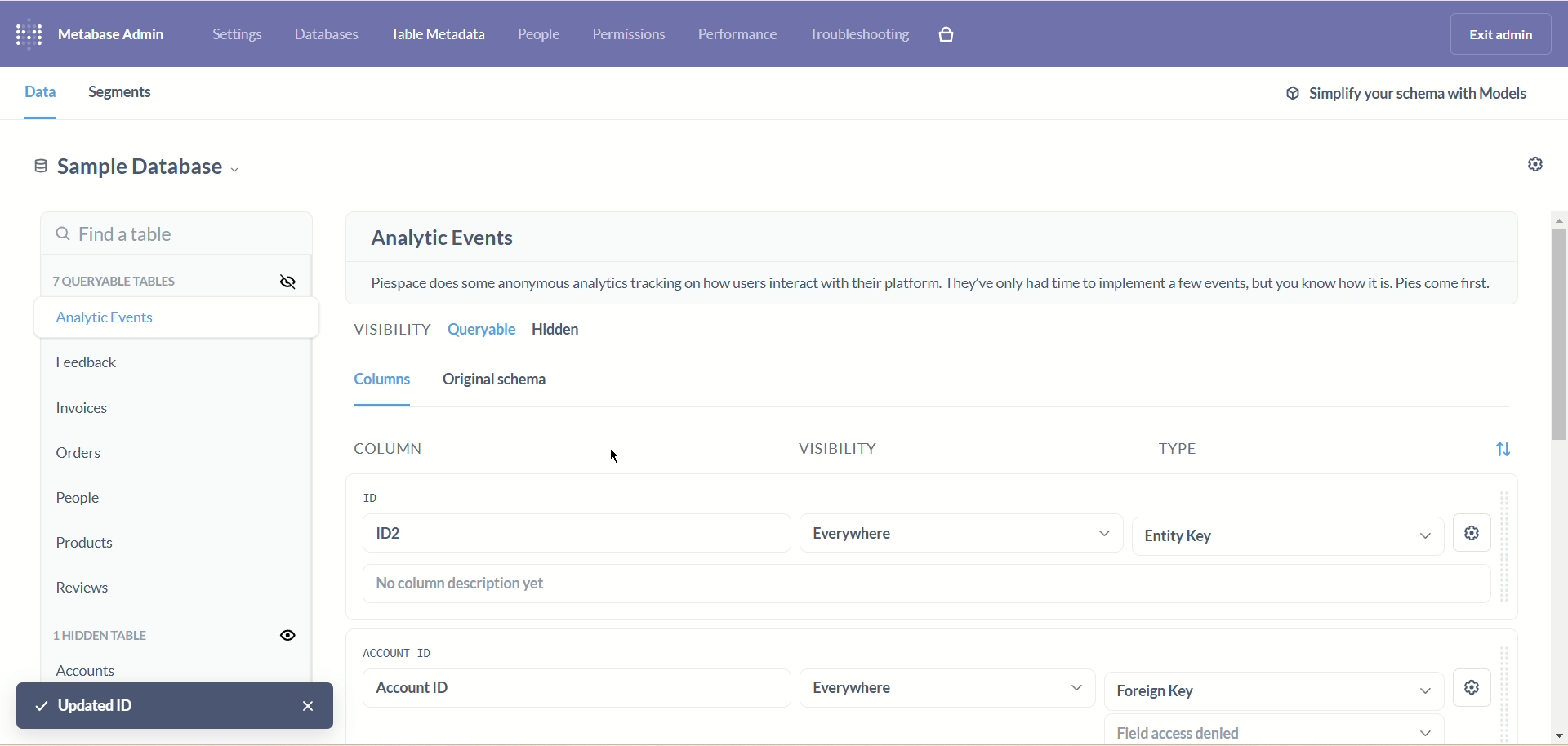  I want to click on Performance, so click(741, 39).